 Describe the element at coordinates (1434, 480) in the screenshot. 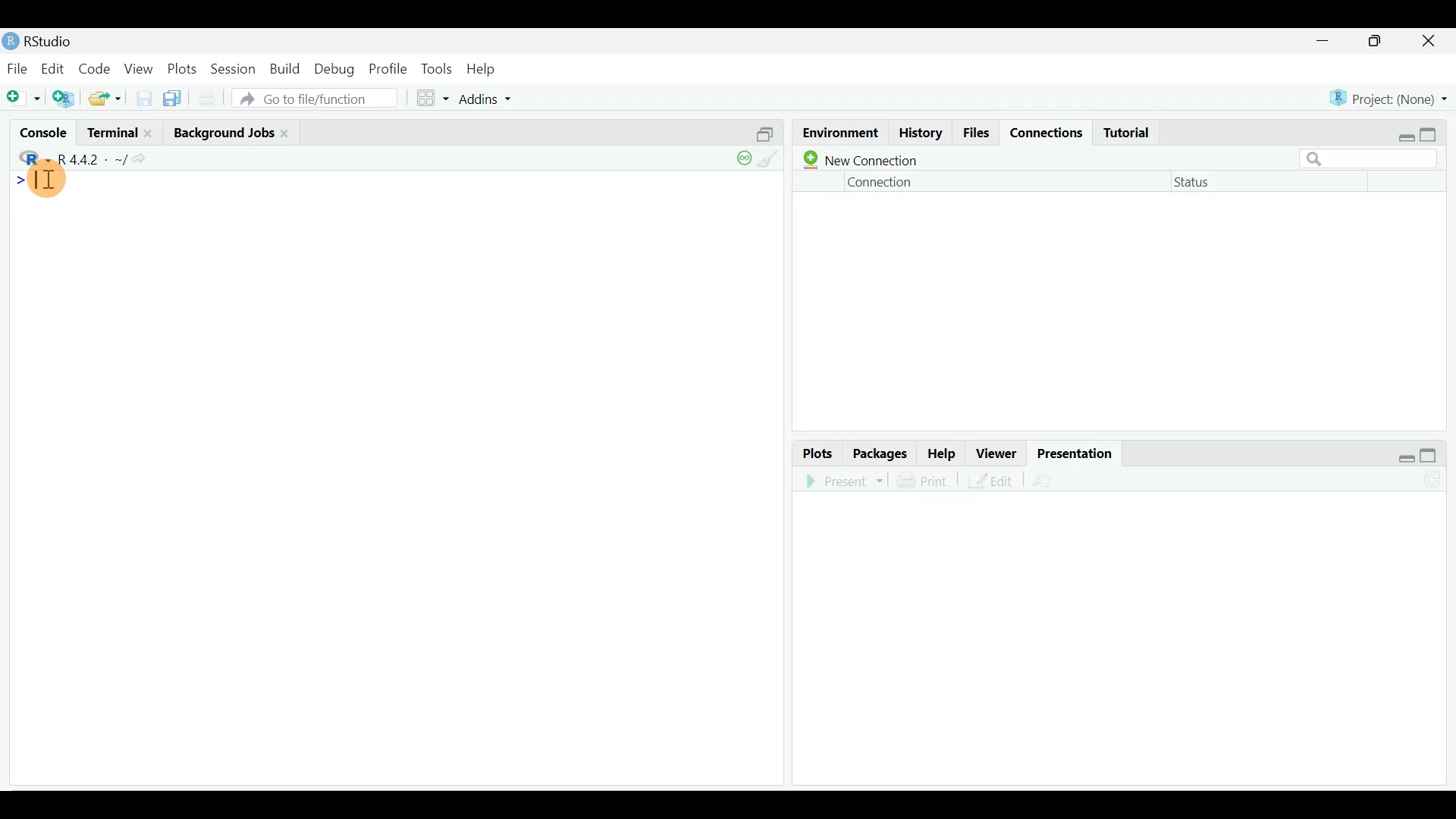

I see `Refresh the presentation preview` at that location.